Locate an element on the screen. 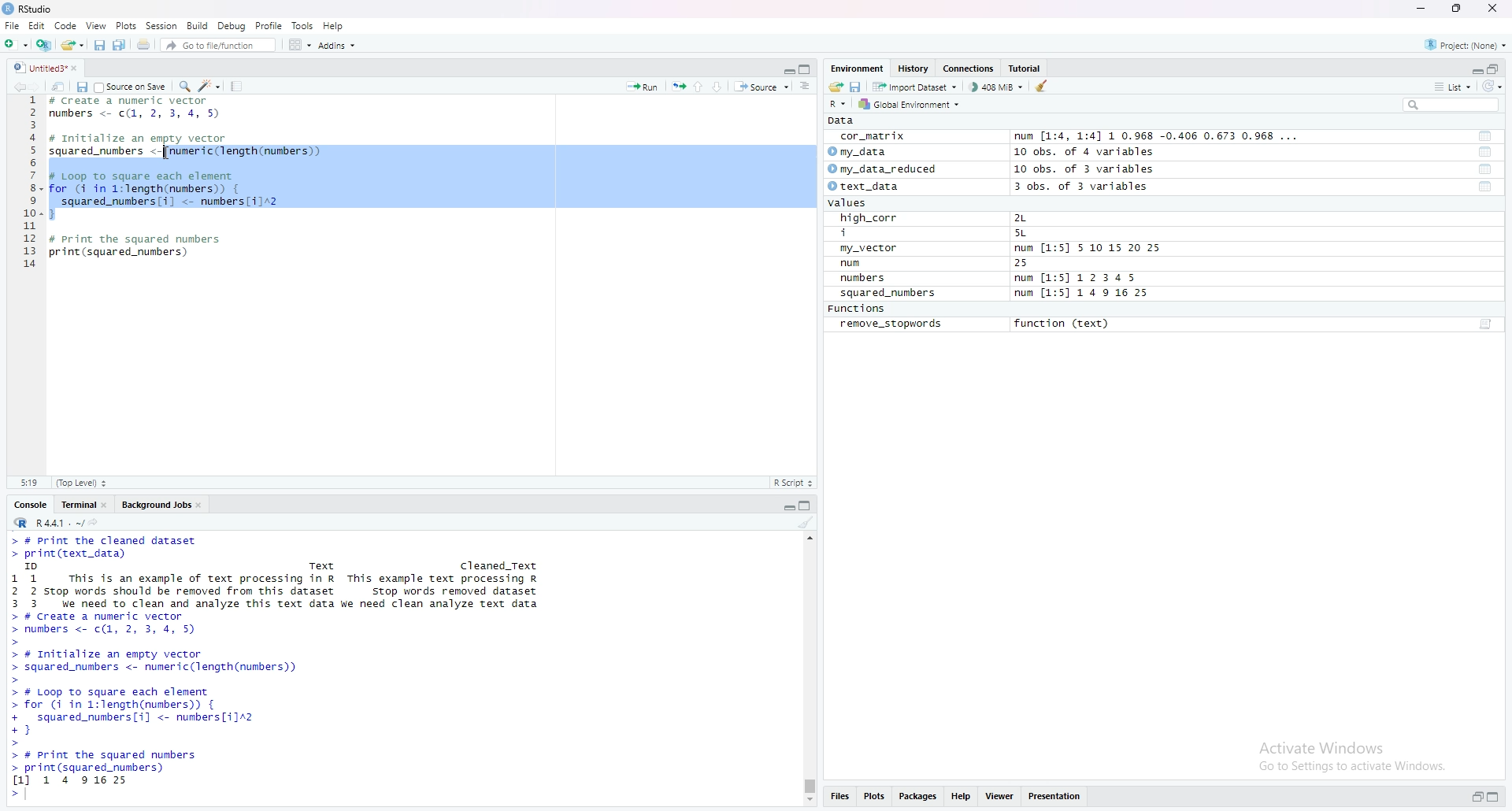 This screenshot has height=811, width=1512. | numeric (length(numbers)) is located at coordinates (247, 152).